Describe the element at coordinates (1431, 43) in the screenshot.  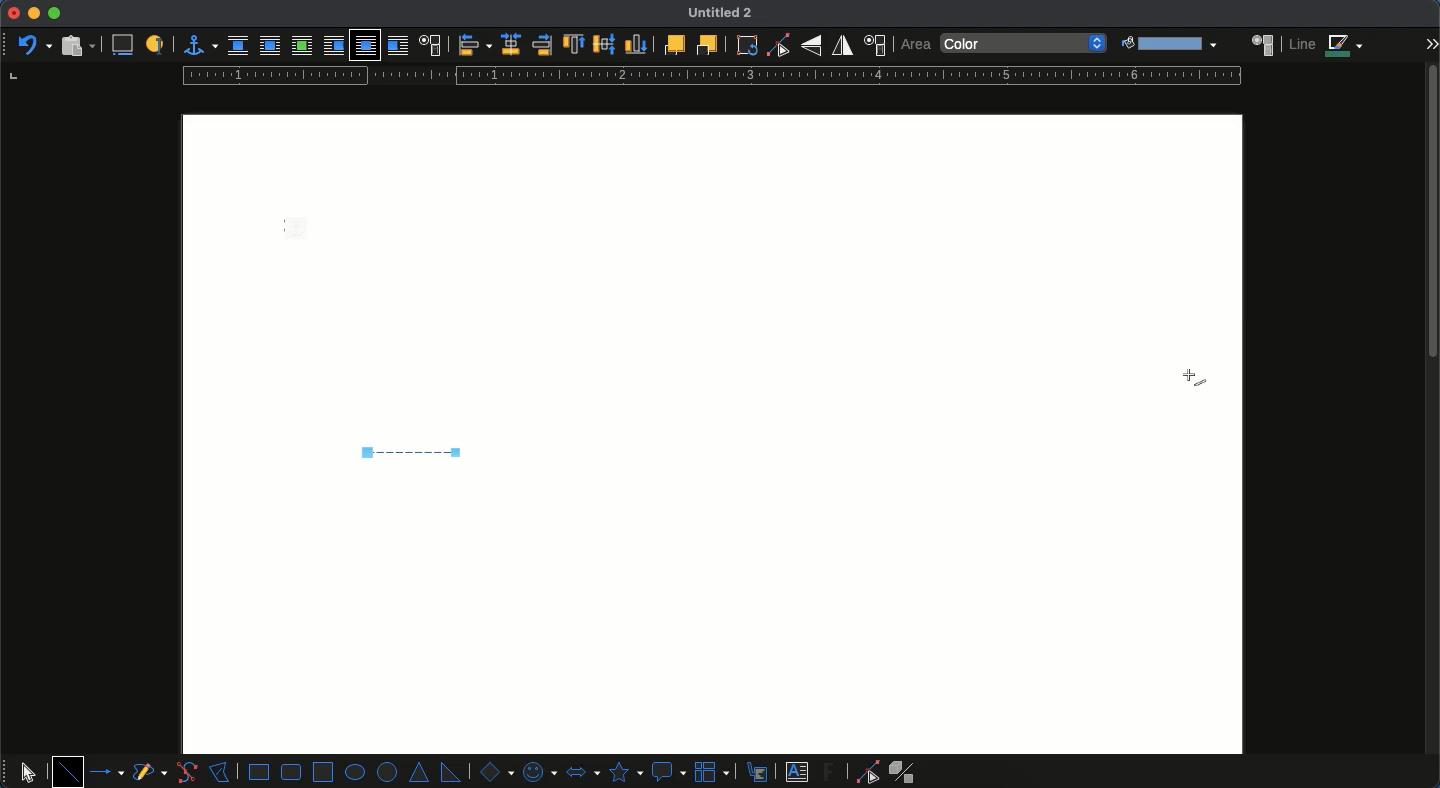
I see `expand` at that location.